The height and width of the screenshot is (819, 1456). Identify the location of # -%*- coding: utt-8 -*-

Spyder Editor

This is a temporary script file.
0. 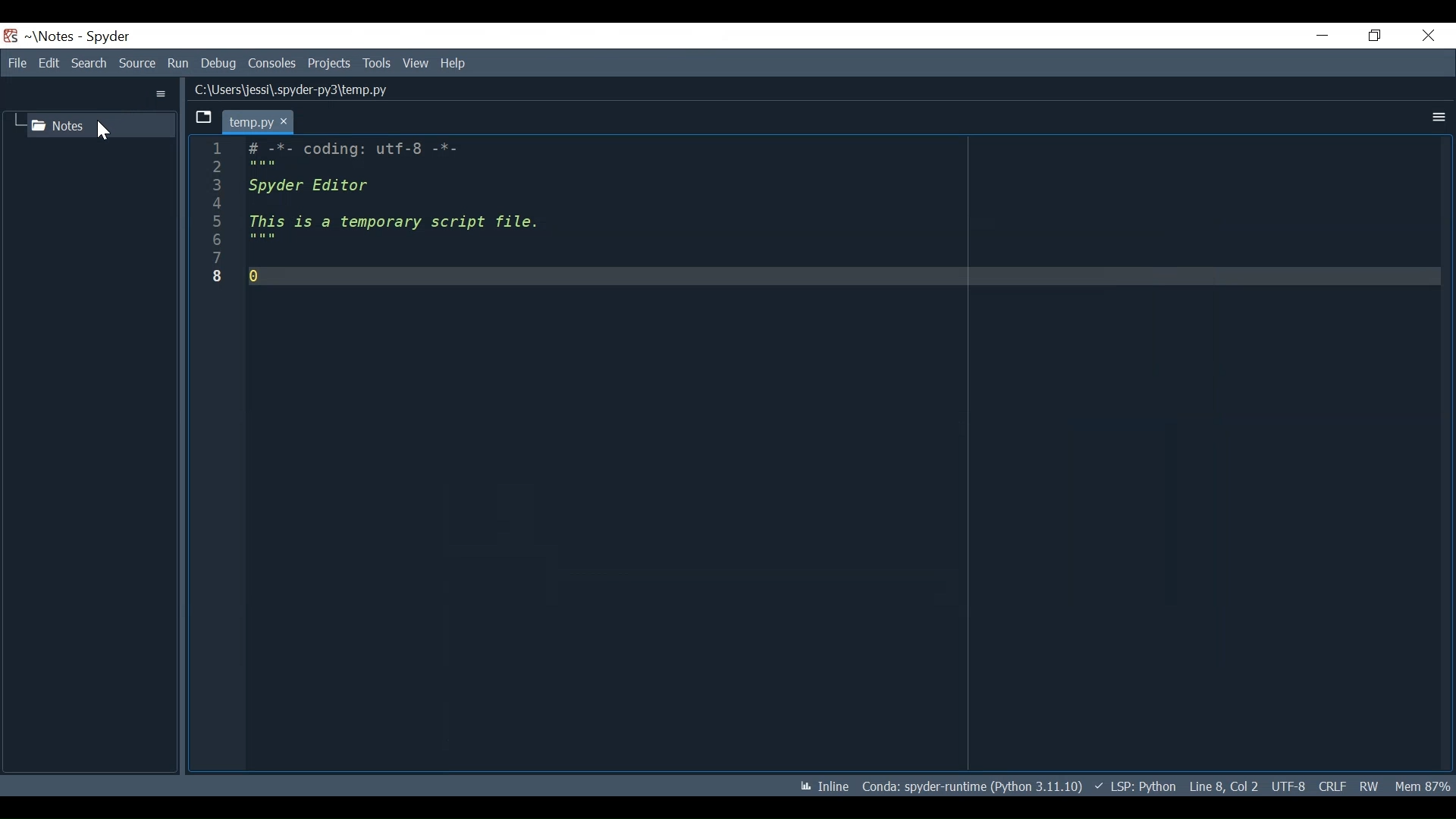
(417, 219).